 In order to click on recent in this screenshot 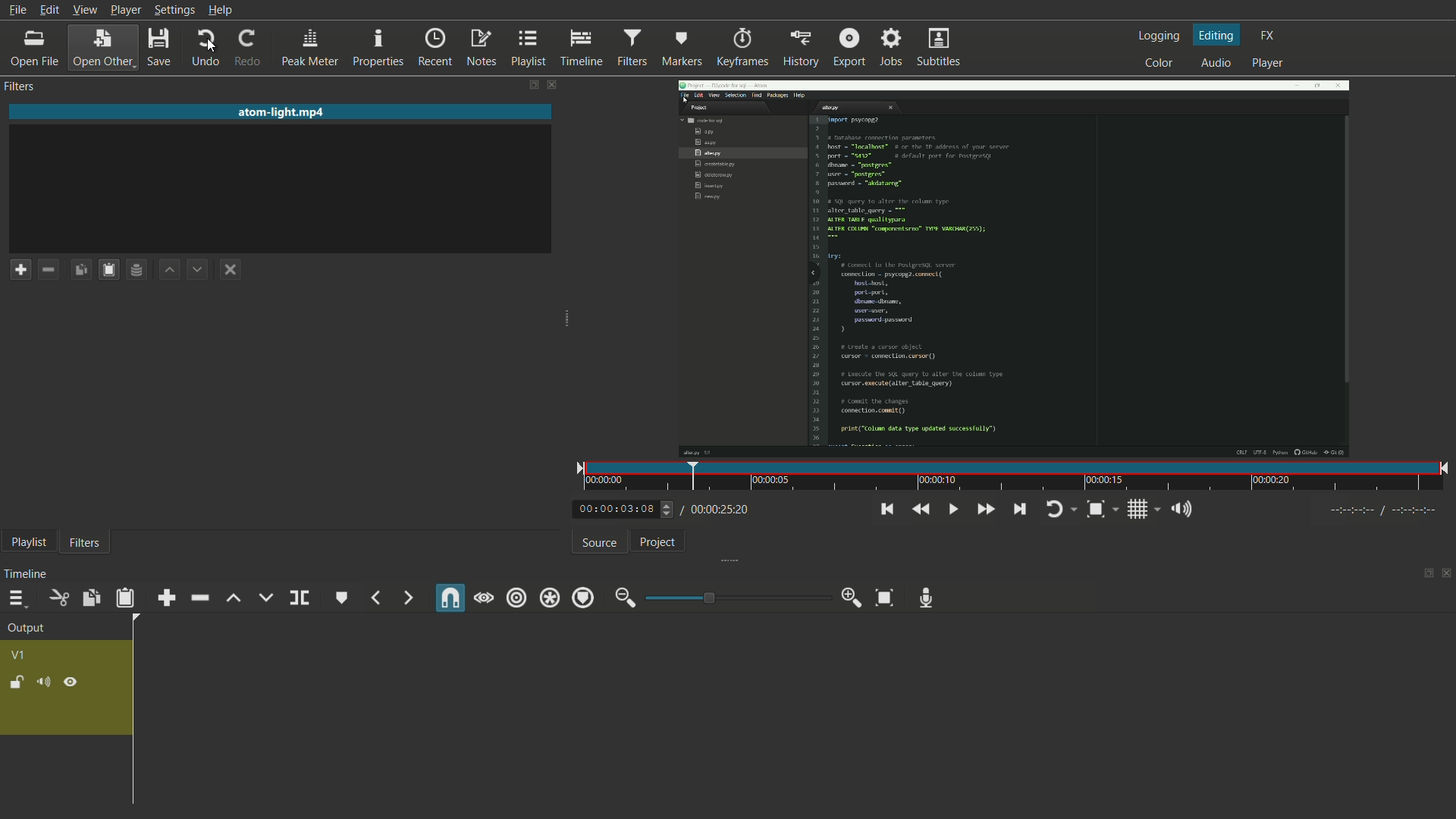, I will do `click(435, 47)`.